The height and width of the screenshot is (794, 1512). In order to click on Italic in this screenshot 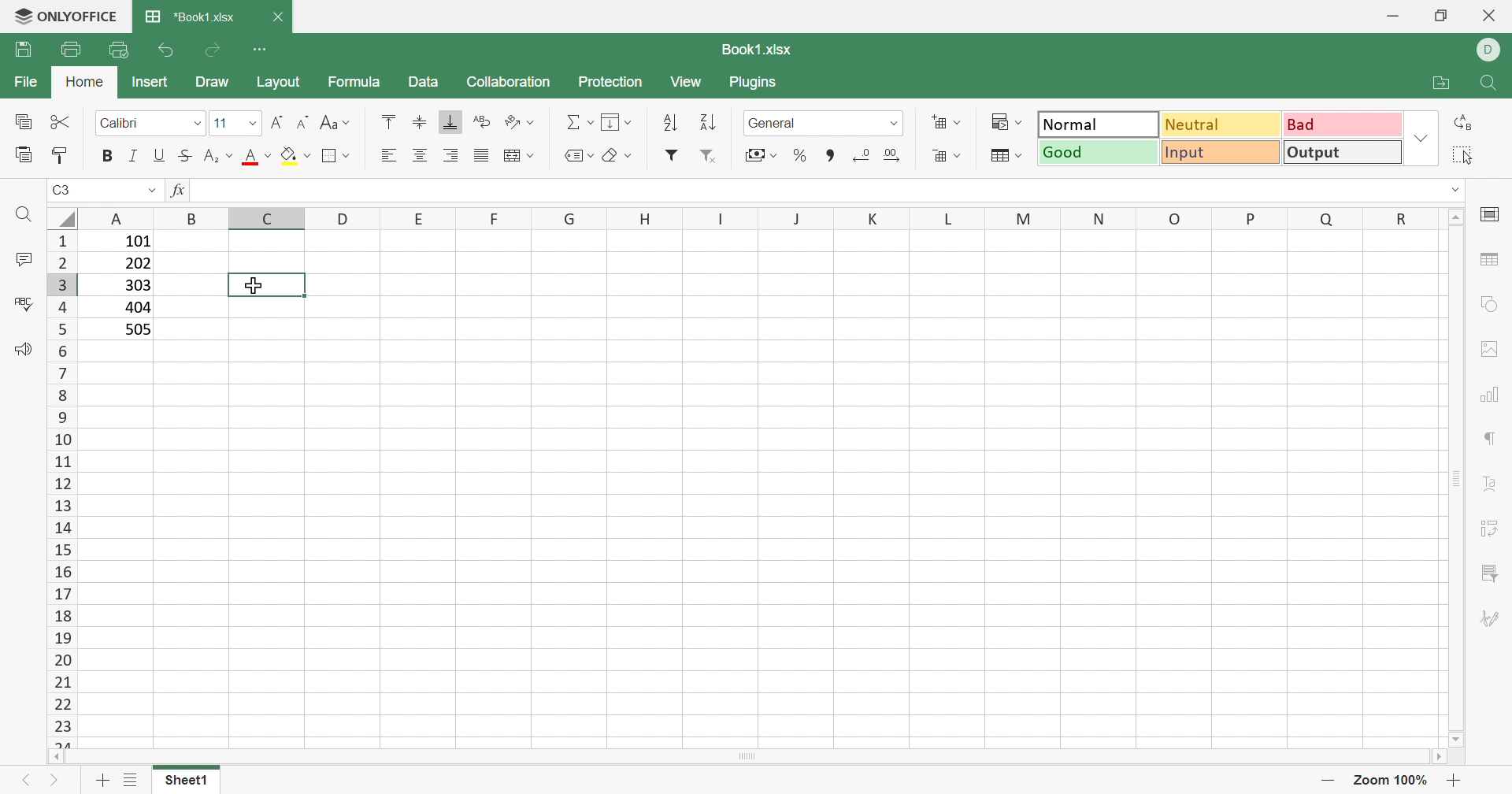, I will do `click(133, 156)`.